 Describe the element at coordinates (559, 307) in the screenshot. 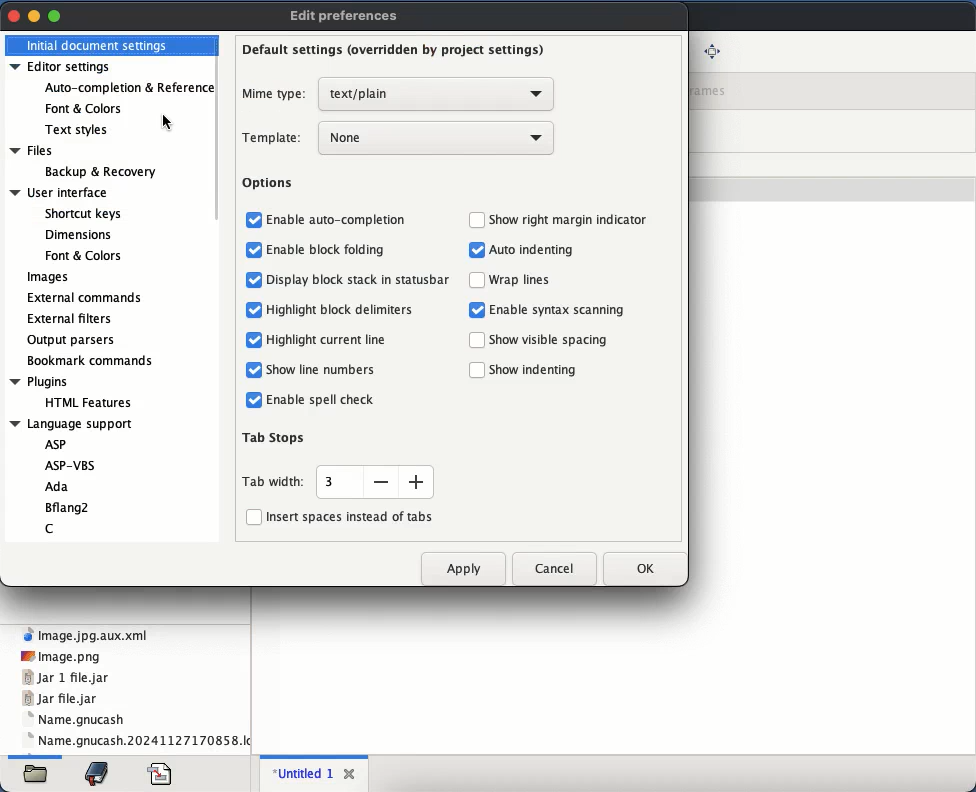

I see `Enable syntax scanning` at that location.